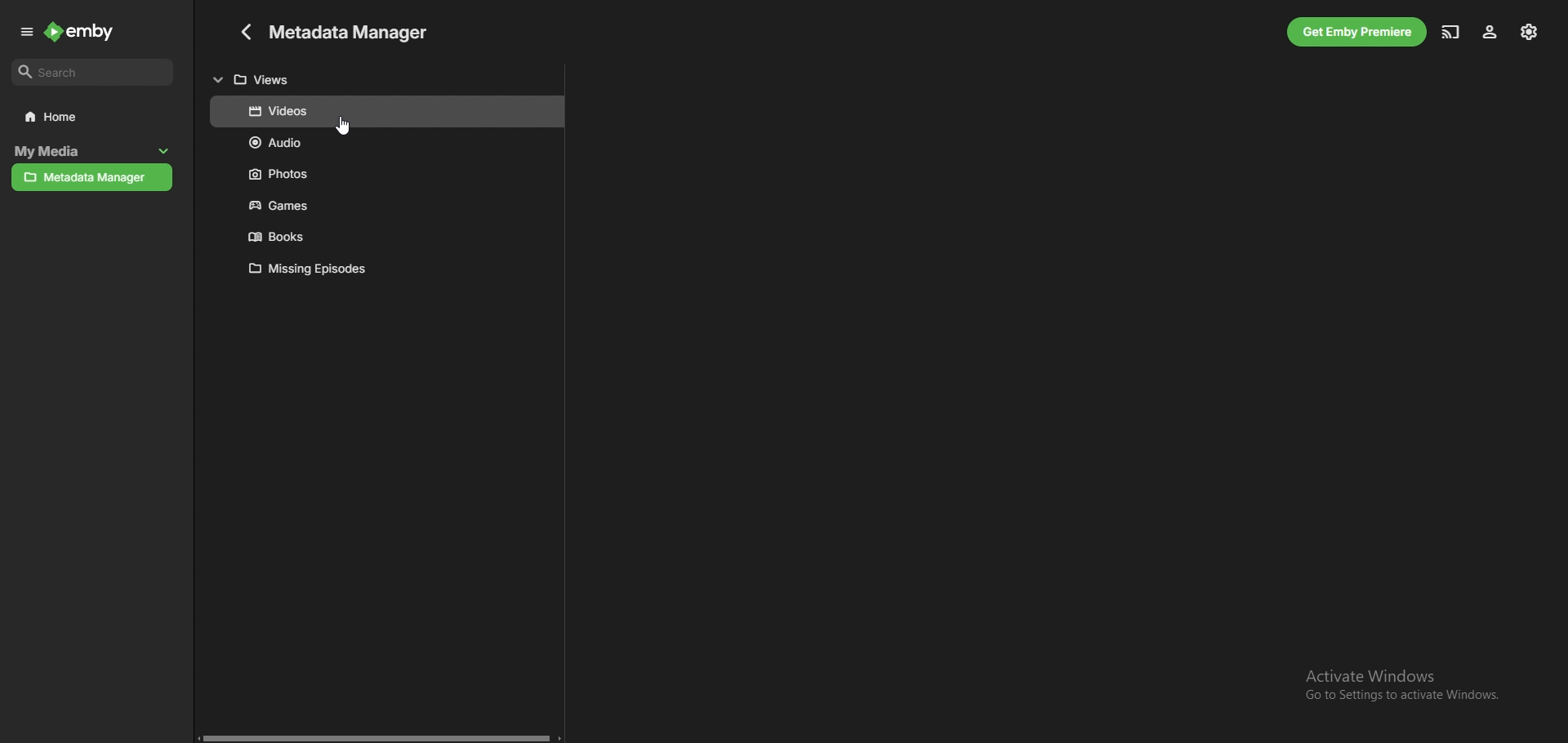 The image size is (1568, 743). I want to click on books, so click(385, 236).